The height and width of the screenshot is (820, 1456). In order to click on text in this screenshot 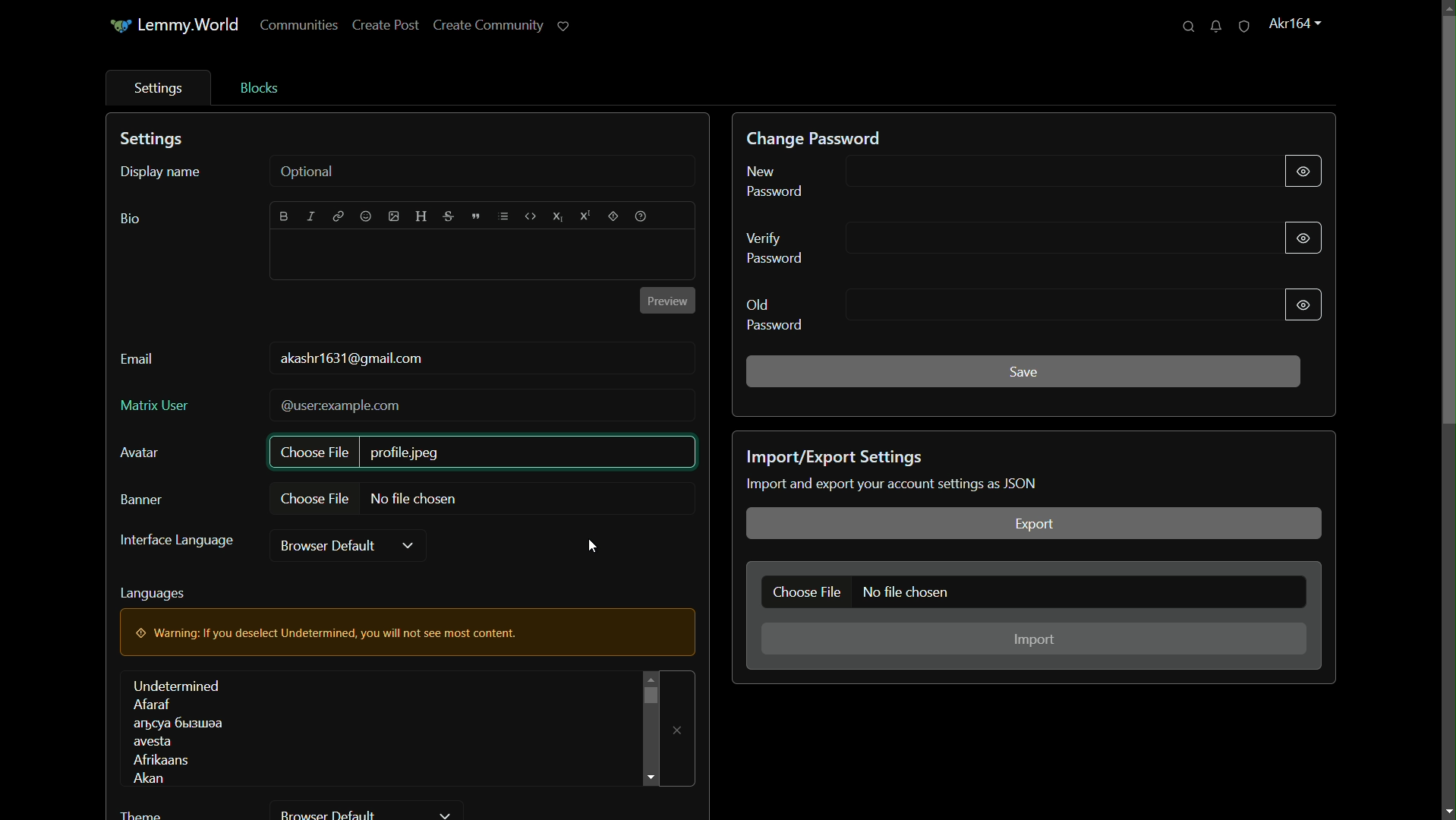, I will do `click(894, 484)`.